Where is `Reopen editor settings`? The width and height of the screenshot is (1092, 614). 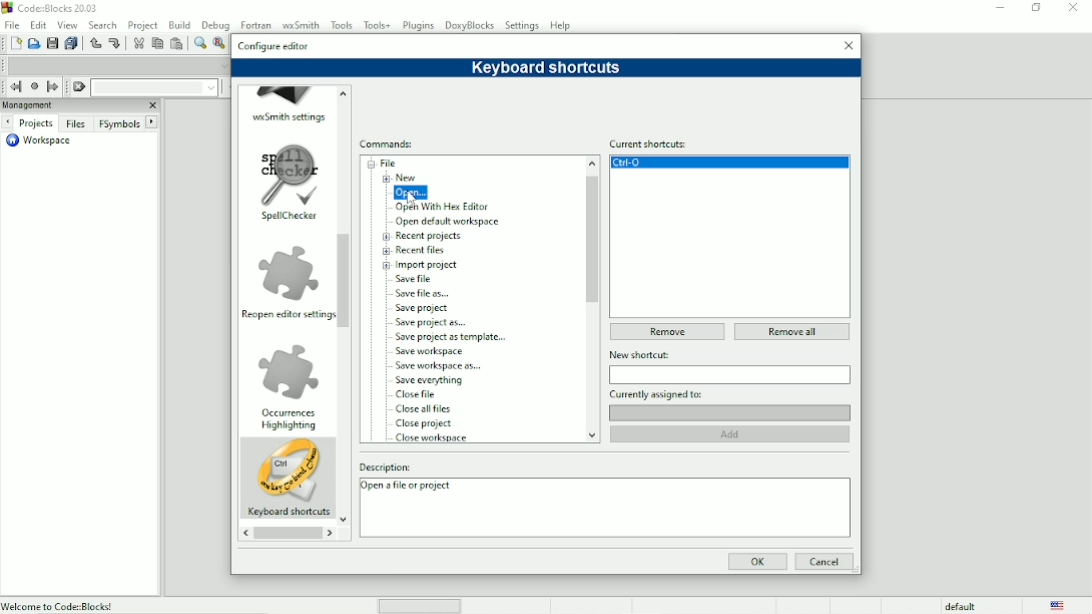 Reopen editor settings is located at coordinates (287, 314).